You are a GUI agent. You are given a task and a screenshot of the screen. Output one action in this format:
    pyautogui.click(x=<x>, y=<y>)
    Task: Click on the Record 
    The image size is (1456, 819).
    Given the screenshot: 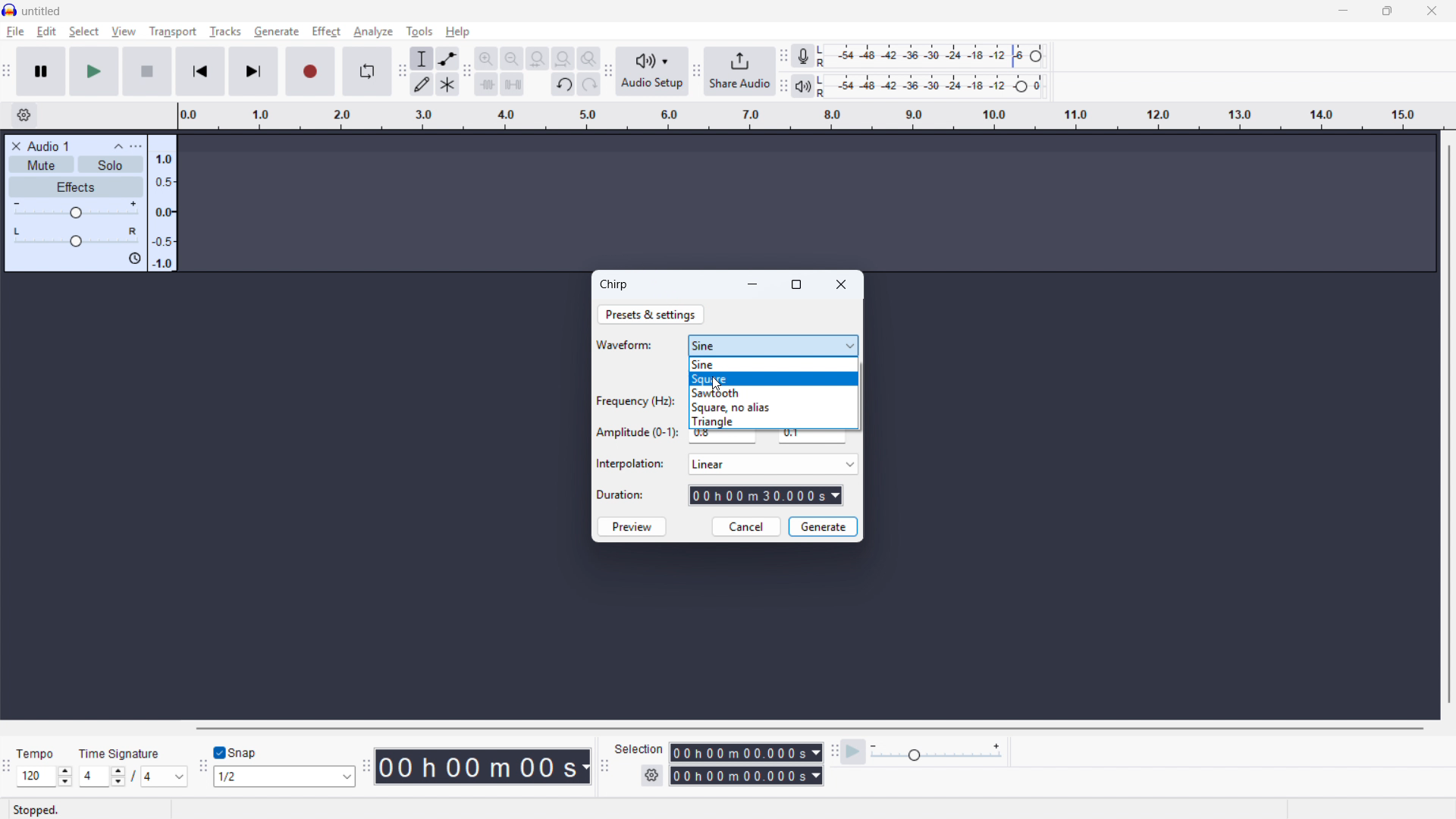 What is the action you would take?
    pyautogui.click(x=311, y=71)
    